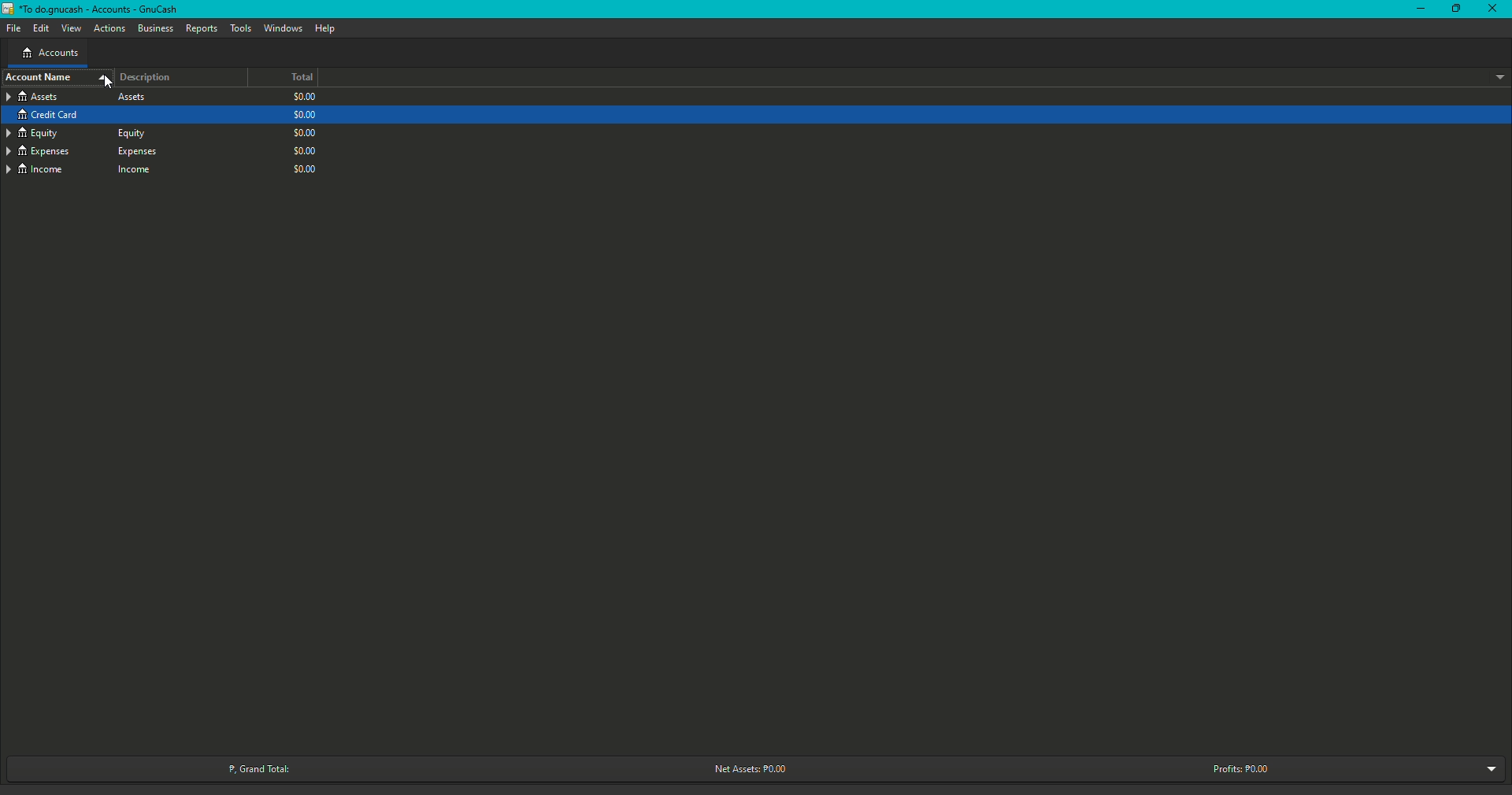 The image size is (1512, 795). Describe the element at coordinates (753, 769) in the screenshot. I see `Net Assets` at that location.